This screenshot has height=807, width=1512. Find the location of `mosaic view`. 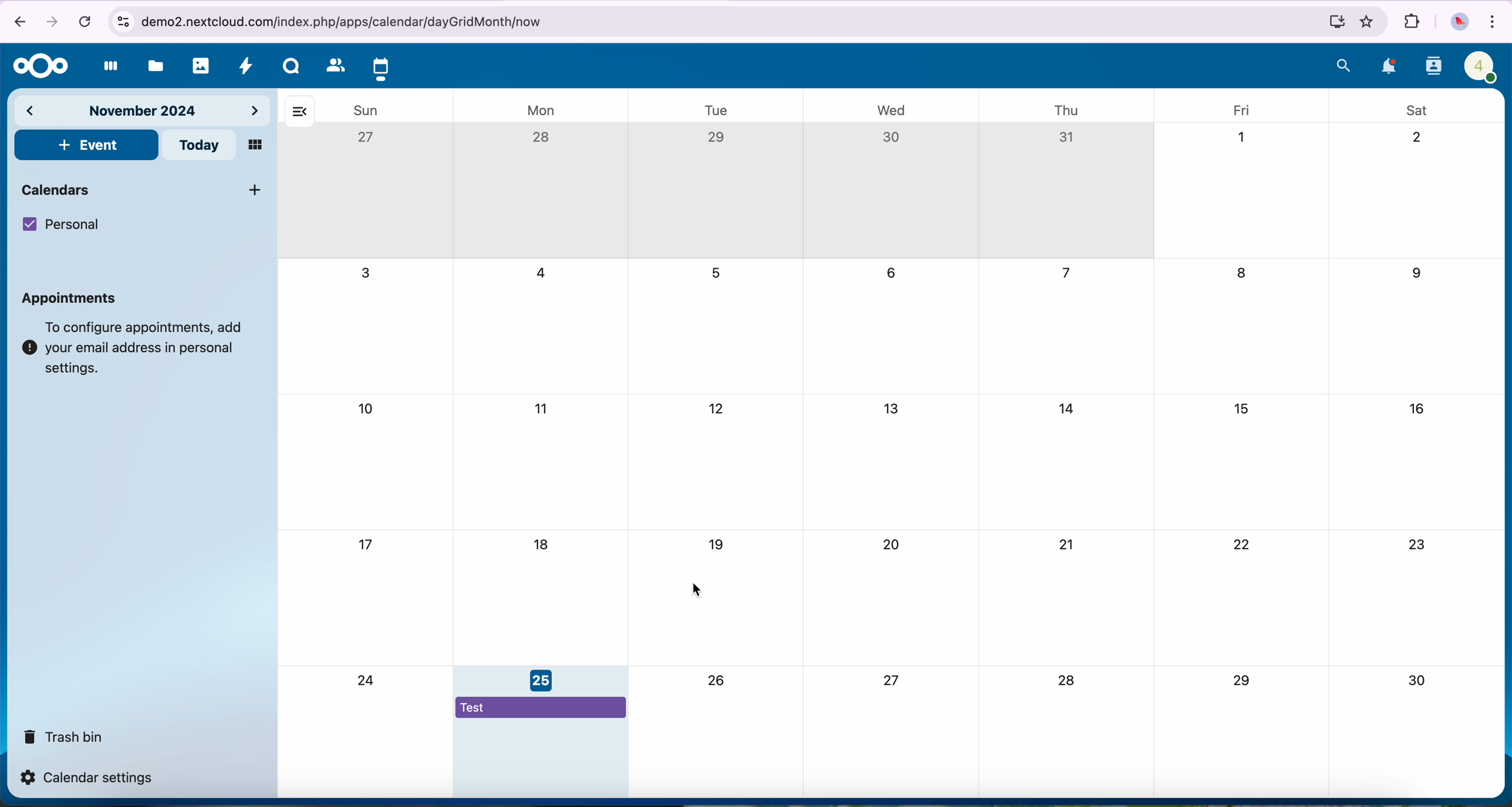

mosaic view is located at coordinates (256, 145).